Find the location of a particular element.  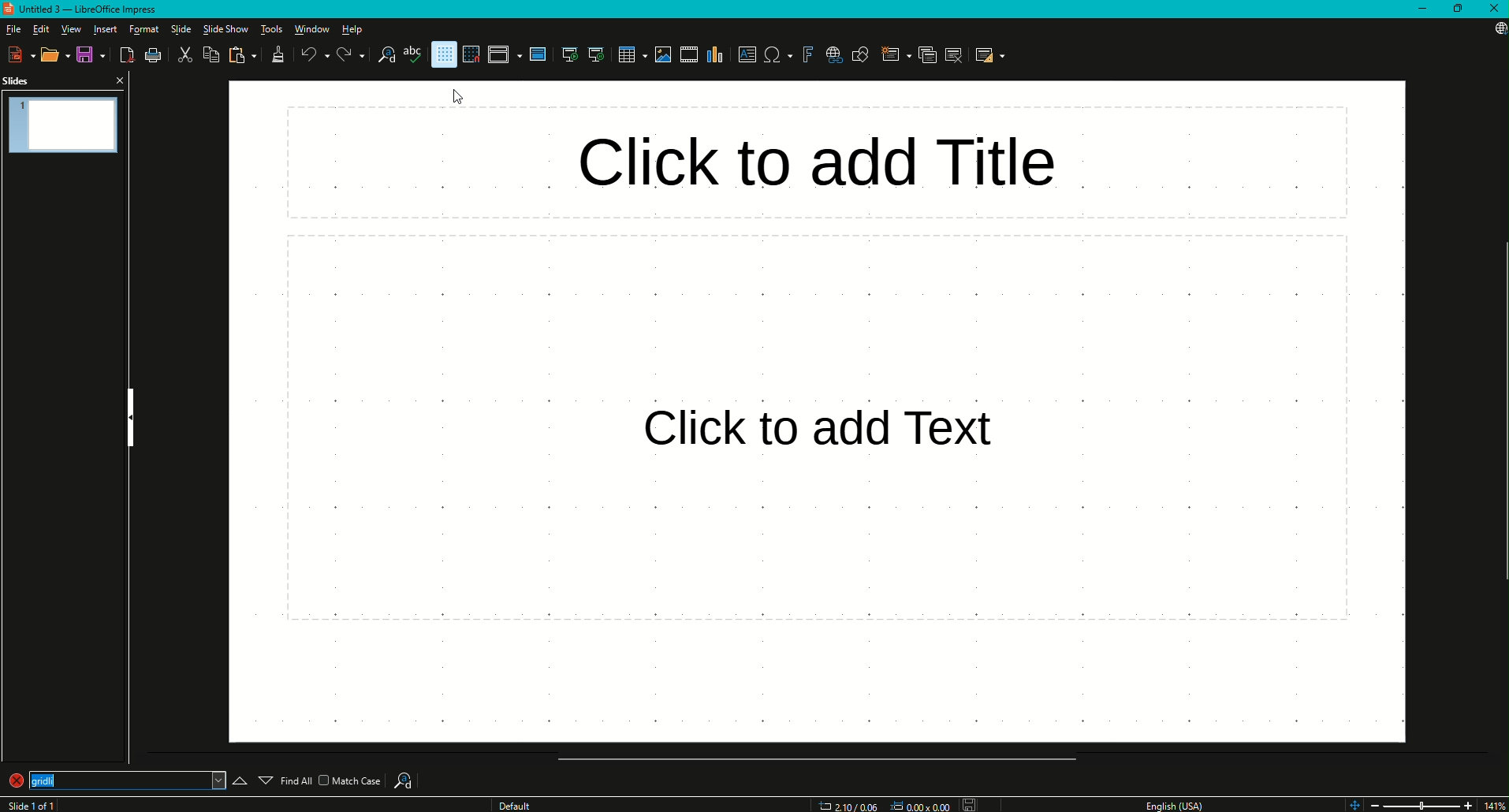

Insert fontwork text is located at coordinates (805, 56).